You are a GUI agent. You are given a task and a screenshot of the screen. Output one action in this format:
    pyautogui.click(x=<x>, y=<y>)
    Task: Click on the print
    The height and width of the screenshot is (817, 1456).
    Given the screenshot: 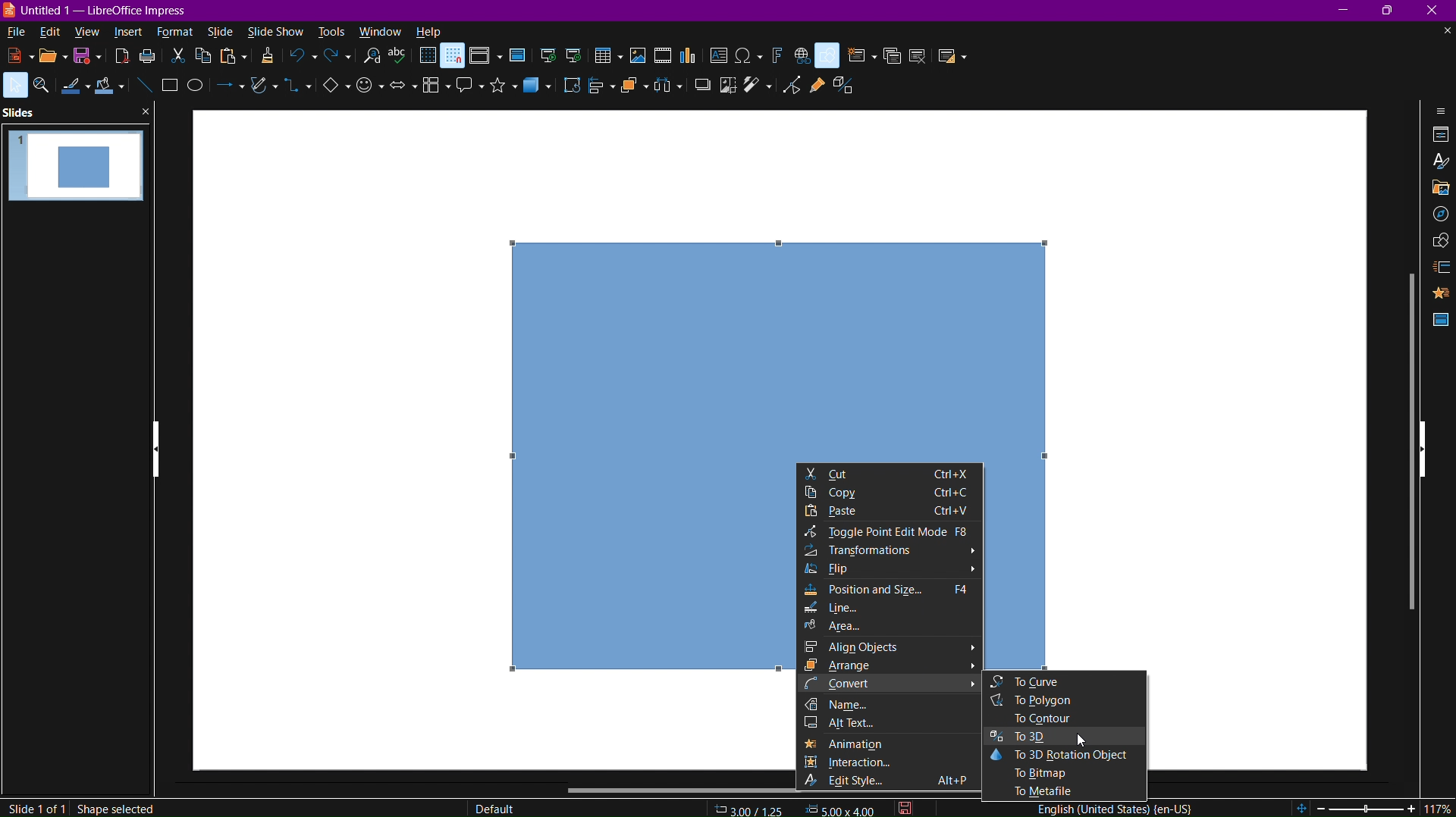 What is the action you would take?
    pyautogui.click(x=151, y=60)
    